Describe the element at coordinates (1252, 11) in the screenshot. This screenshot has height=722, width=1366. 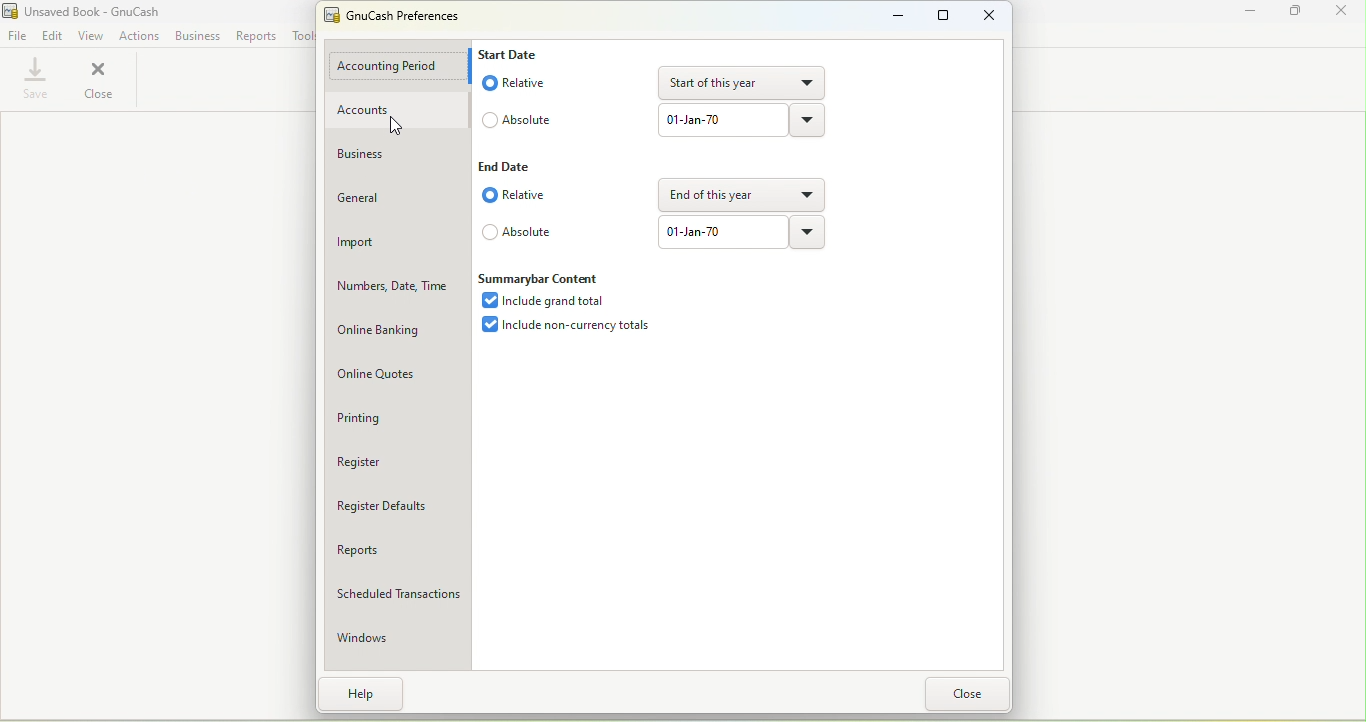
I see `Minimize` at that location.